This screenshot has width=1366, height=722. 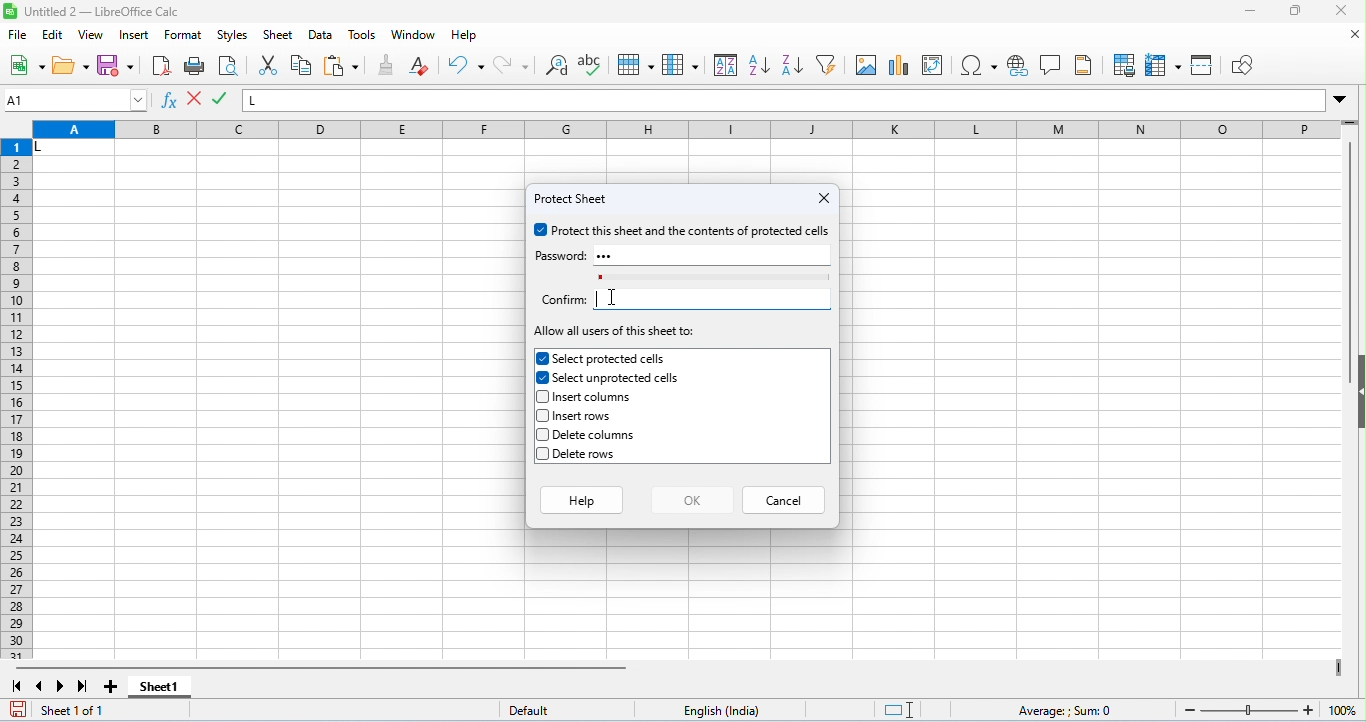 I want to click on data, so click(x=323, y=36).